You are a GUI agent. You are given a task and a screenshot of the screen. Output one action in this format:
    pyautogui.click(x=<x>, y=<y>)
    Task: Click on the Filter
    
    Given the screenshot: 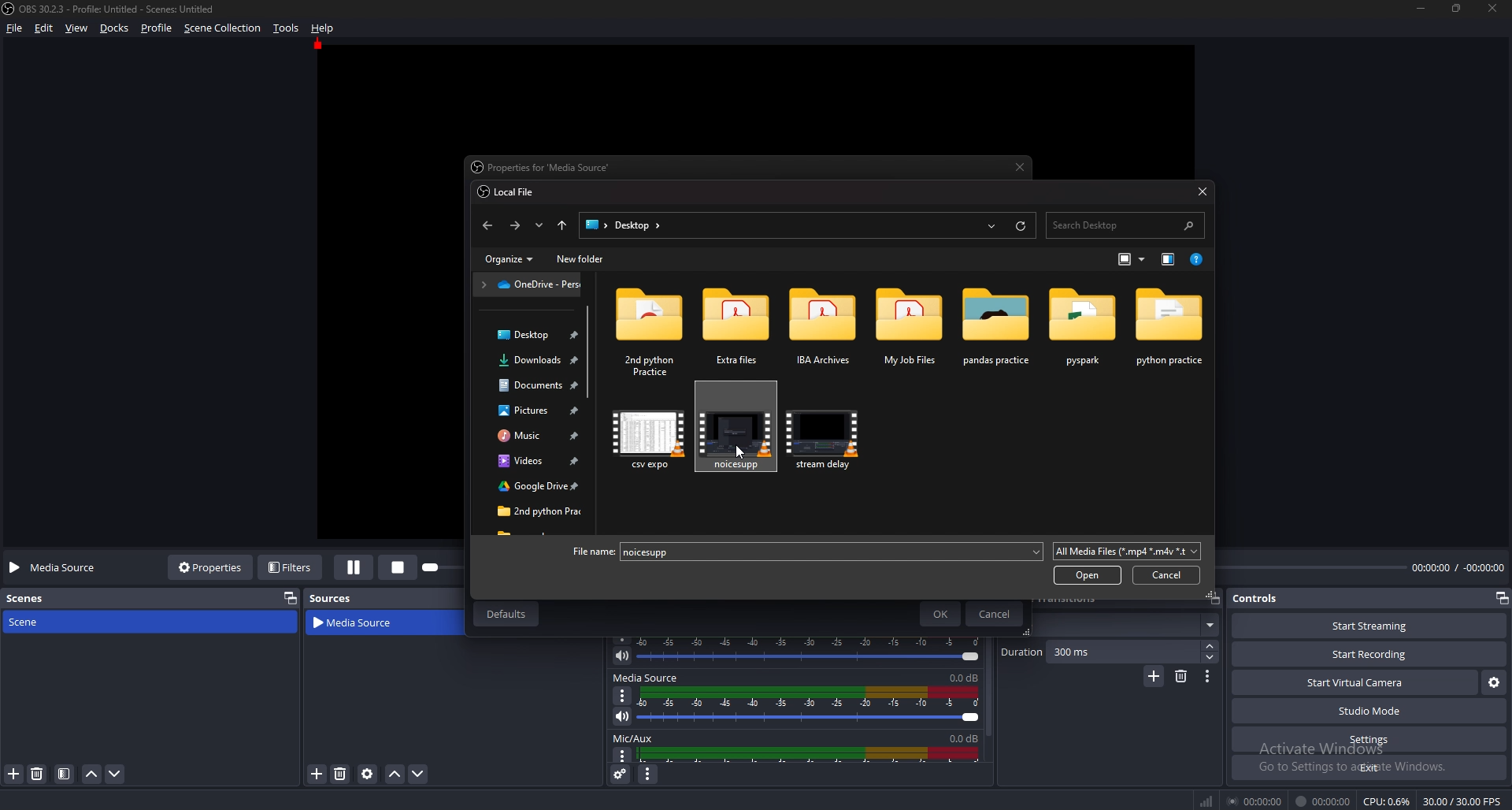 What is the action you would take?
    pyautogui.click(x=65, y=775)
    